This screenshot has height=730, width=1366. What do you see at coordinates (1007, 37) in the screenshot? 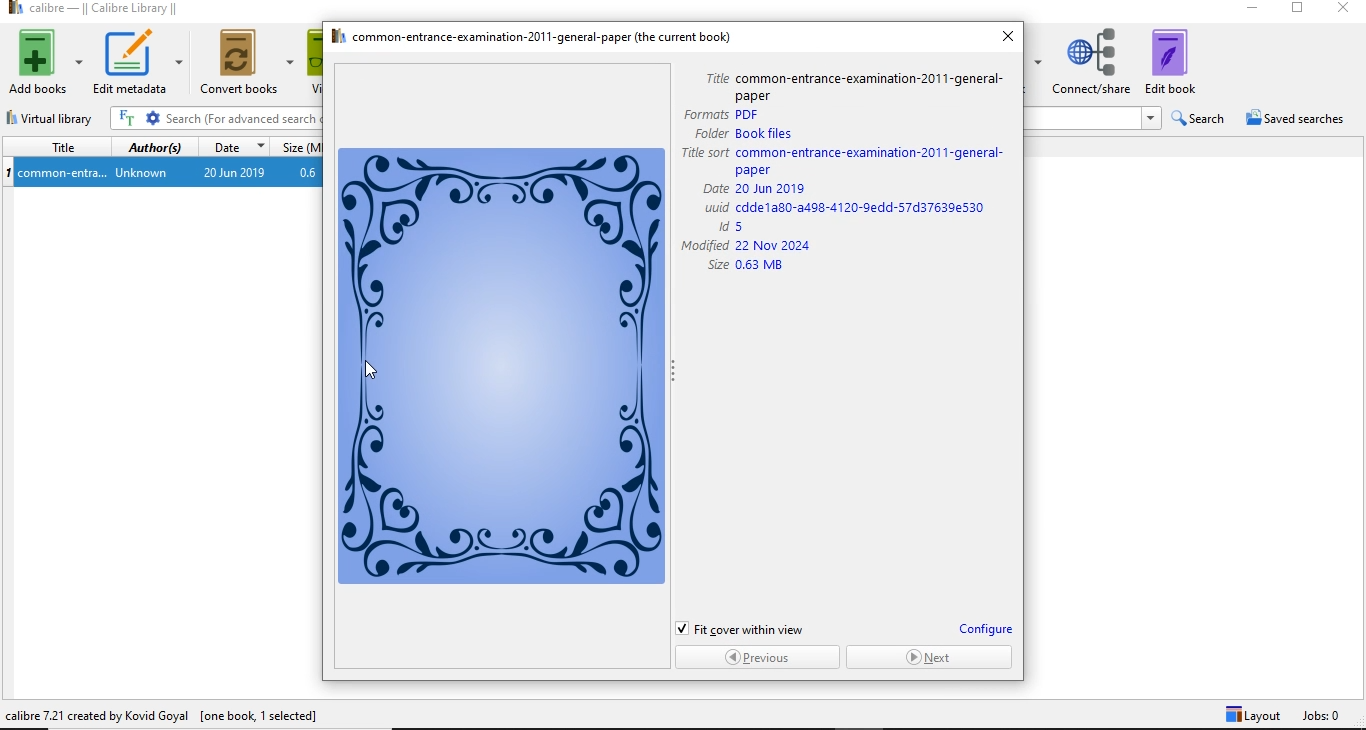
I see `close` at bounding box center [1007, 37].